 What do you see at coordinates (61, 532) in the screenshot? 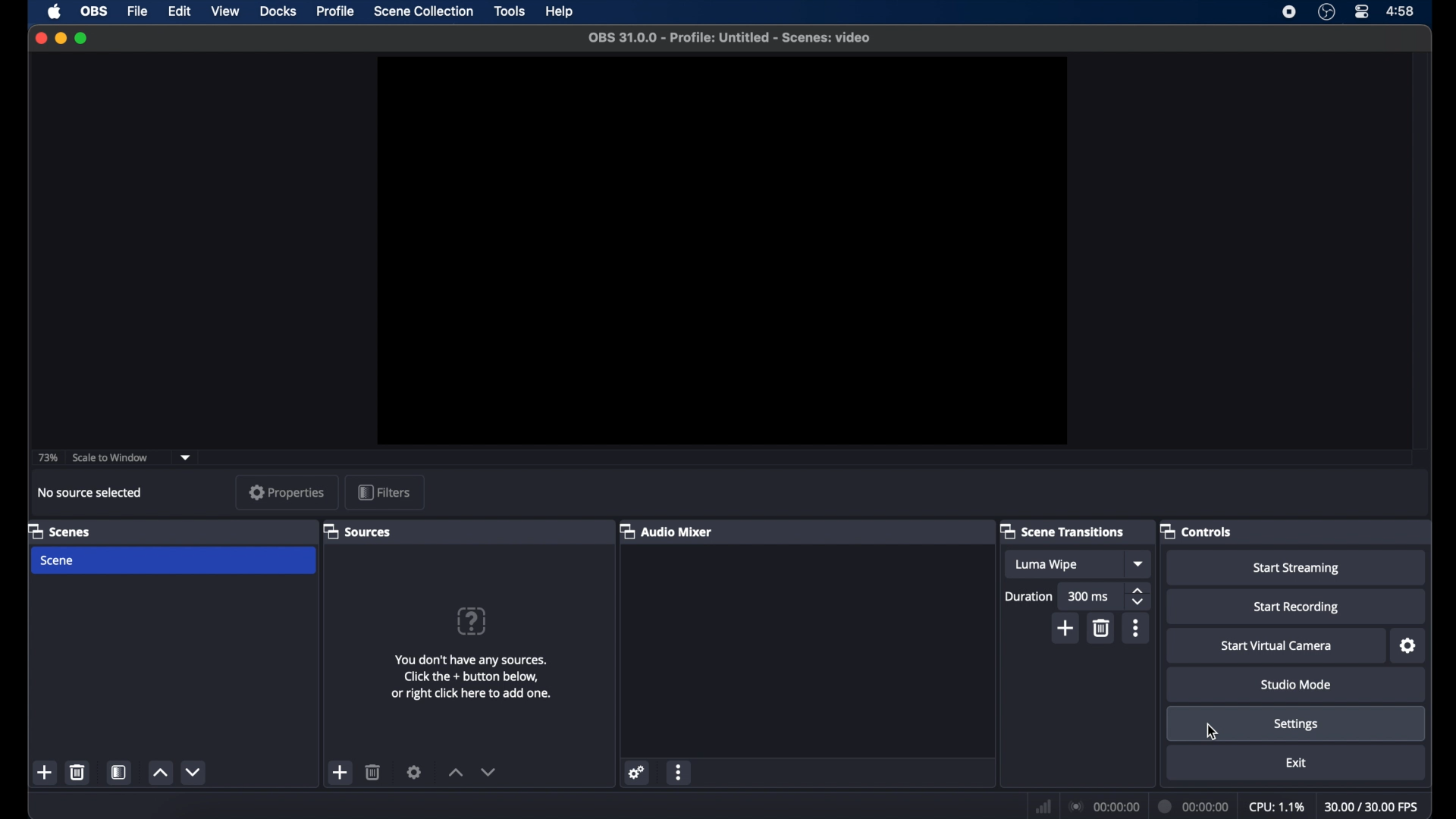
I see `scenes` at bounding box center [61, 532].